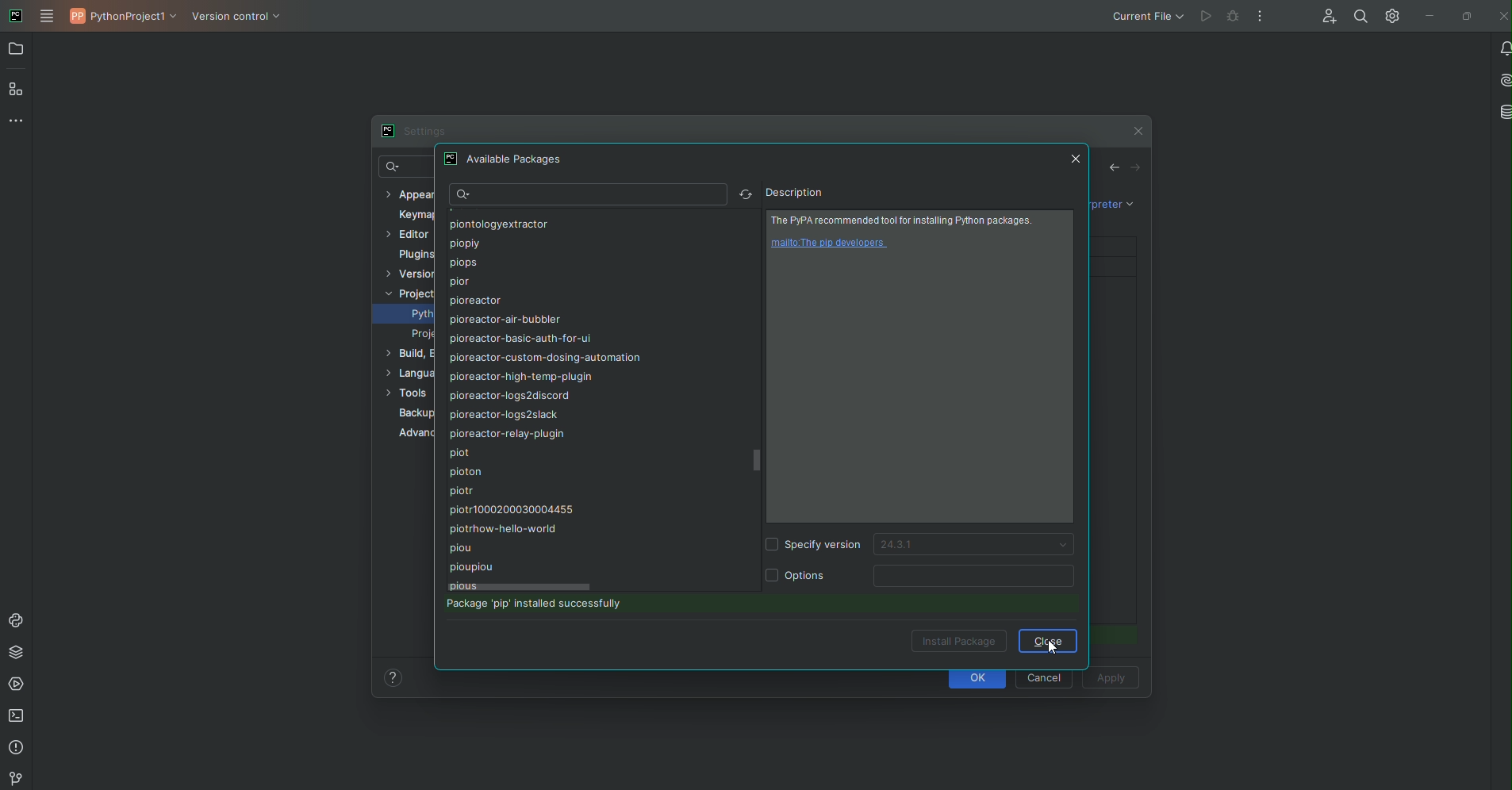 This screenshot has width=1512, height=790. I want to click on Recommended tool, so click(906, 220).